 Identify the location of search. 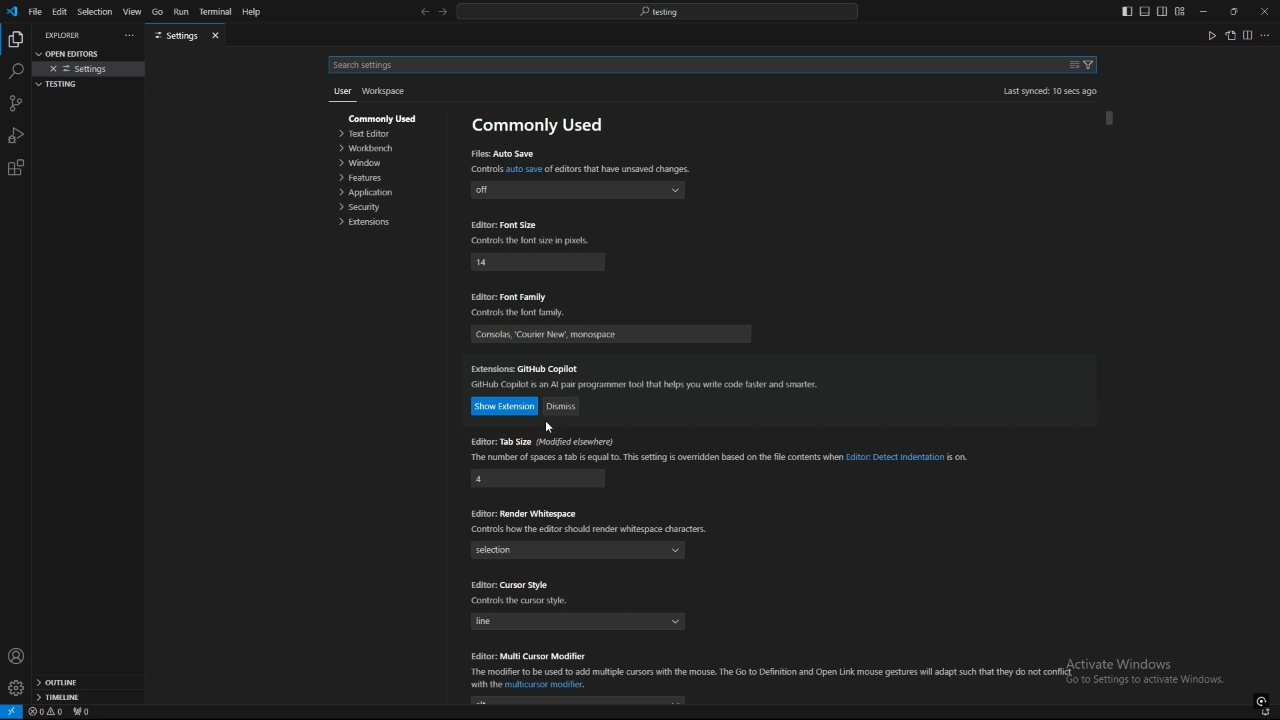
(691, 66).